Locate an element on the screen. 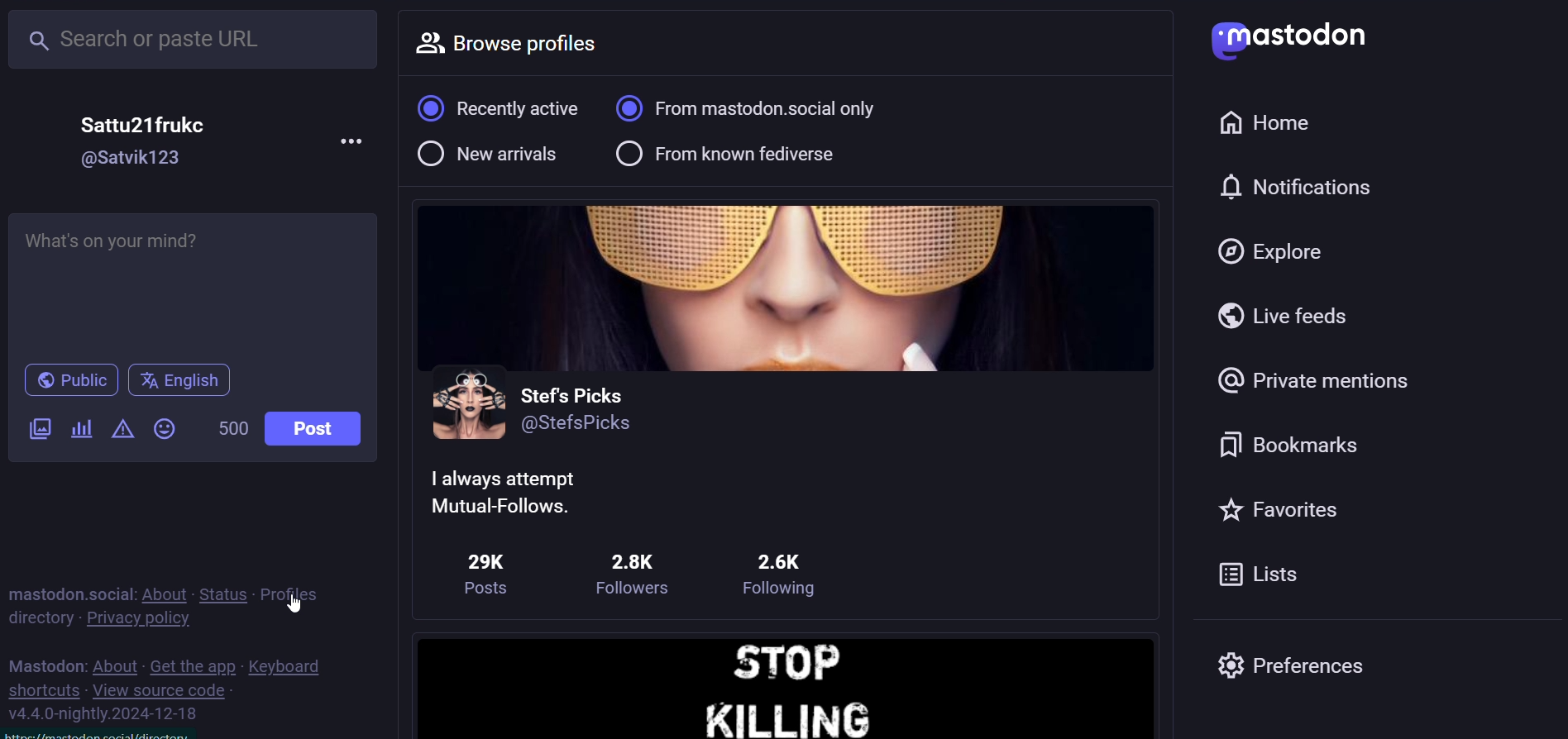 This screenshot has height=739, width=1568. view source code is located at coordinates (164, 690).